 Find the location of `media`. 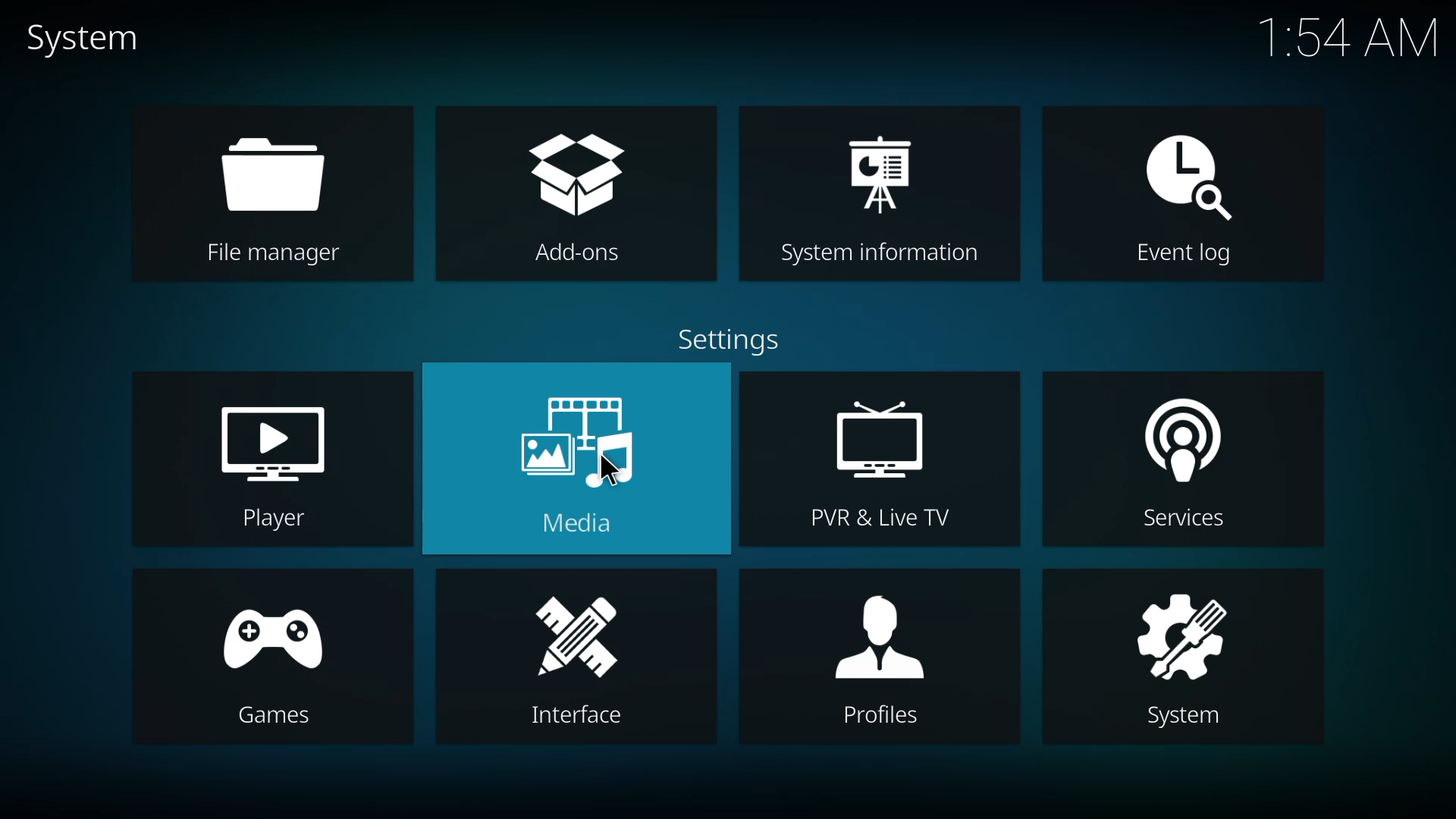

media is located at coordinates (584, 462).